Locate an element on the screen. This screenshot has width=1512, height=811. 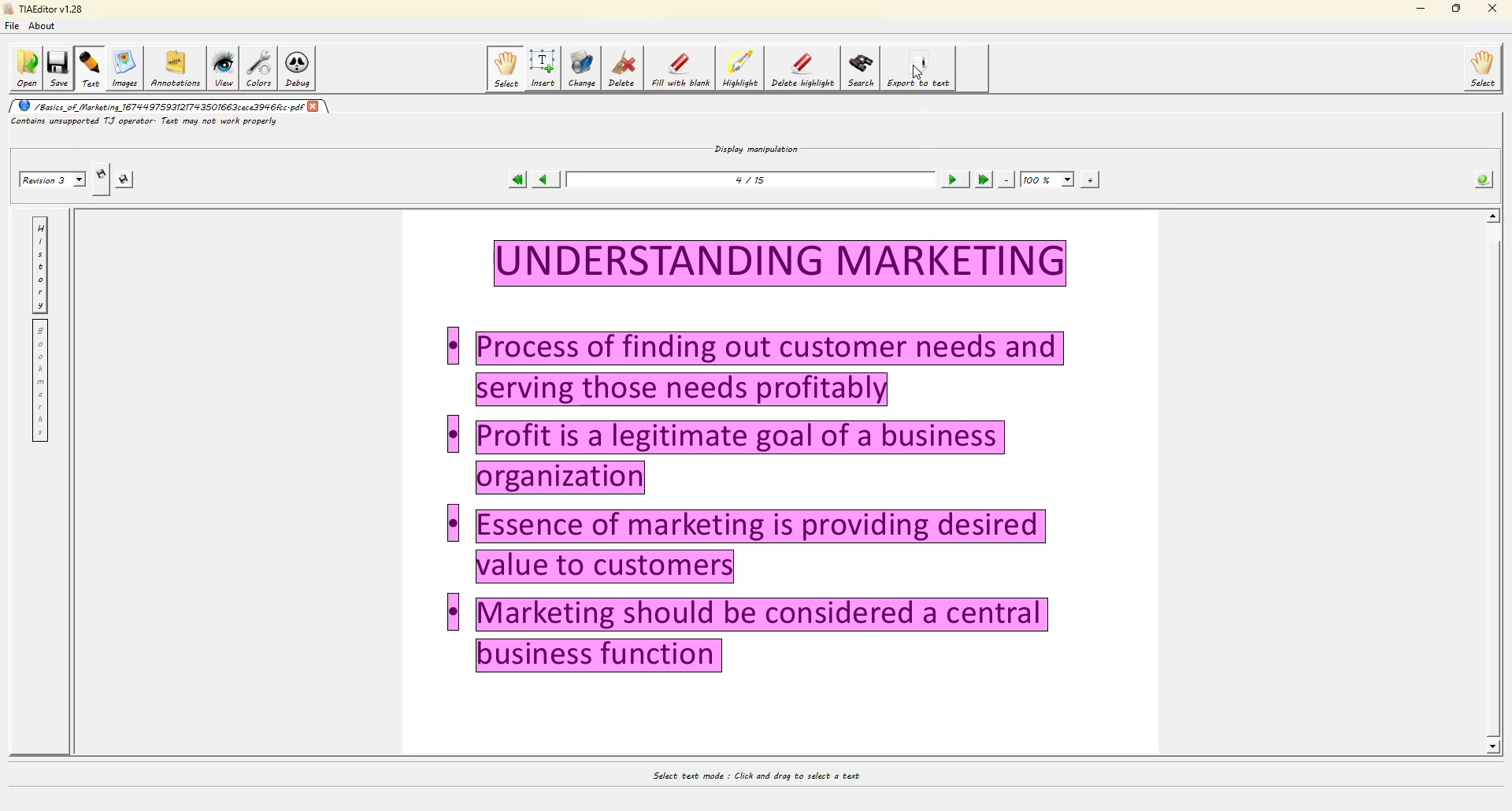
debug is located at coordinates (297, 69).